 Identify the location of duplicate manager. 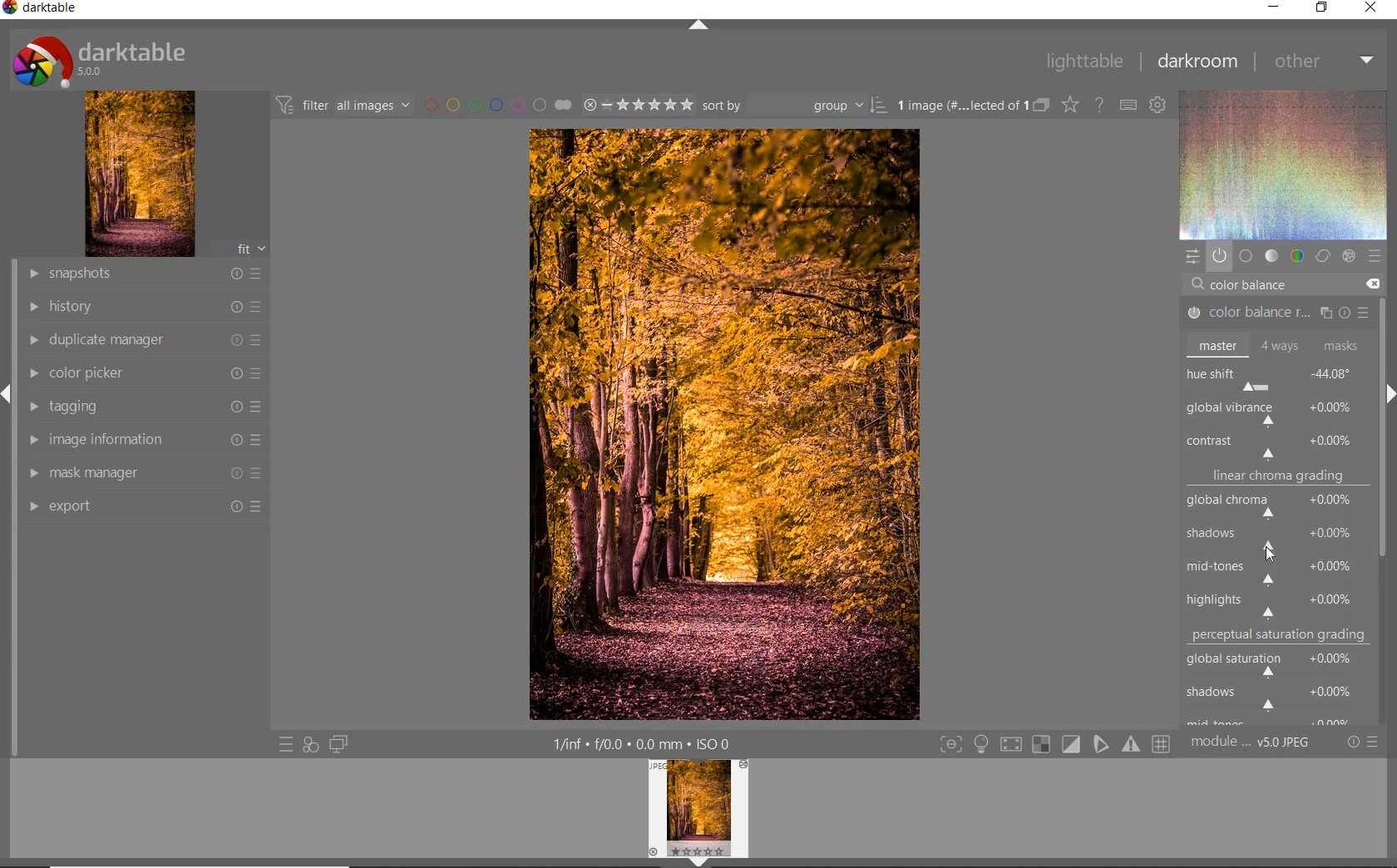
(146, 340).